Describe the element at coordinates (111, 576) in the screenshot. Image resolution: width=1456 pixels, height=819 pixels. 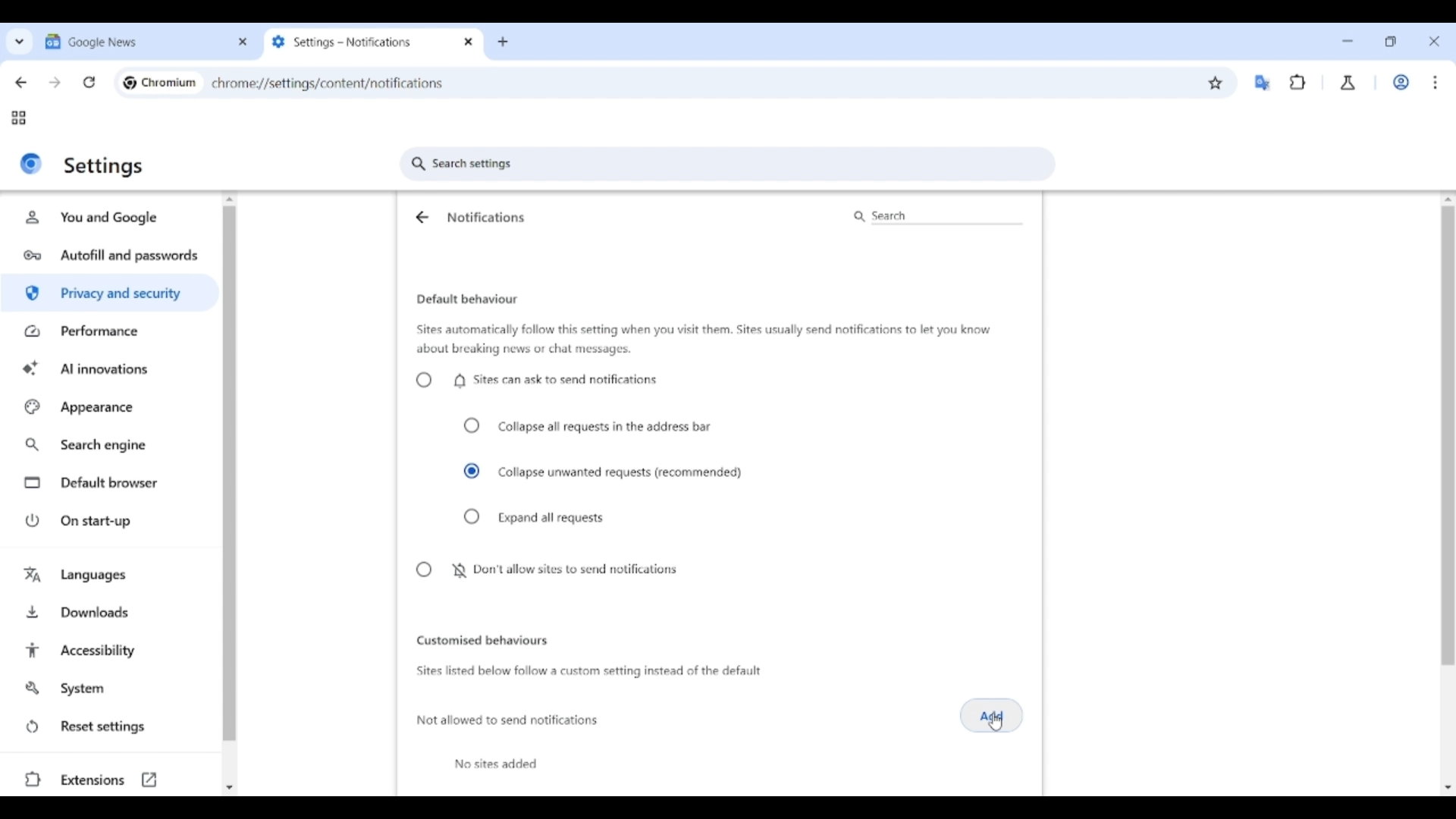
I see `Languages` at that location.